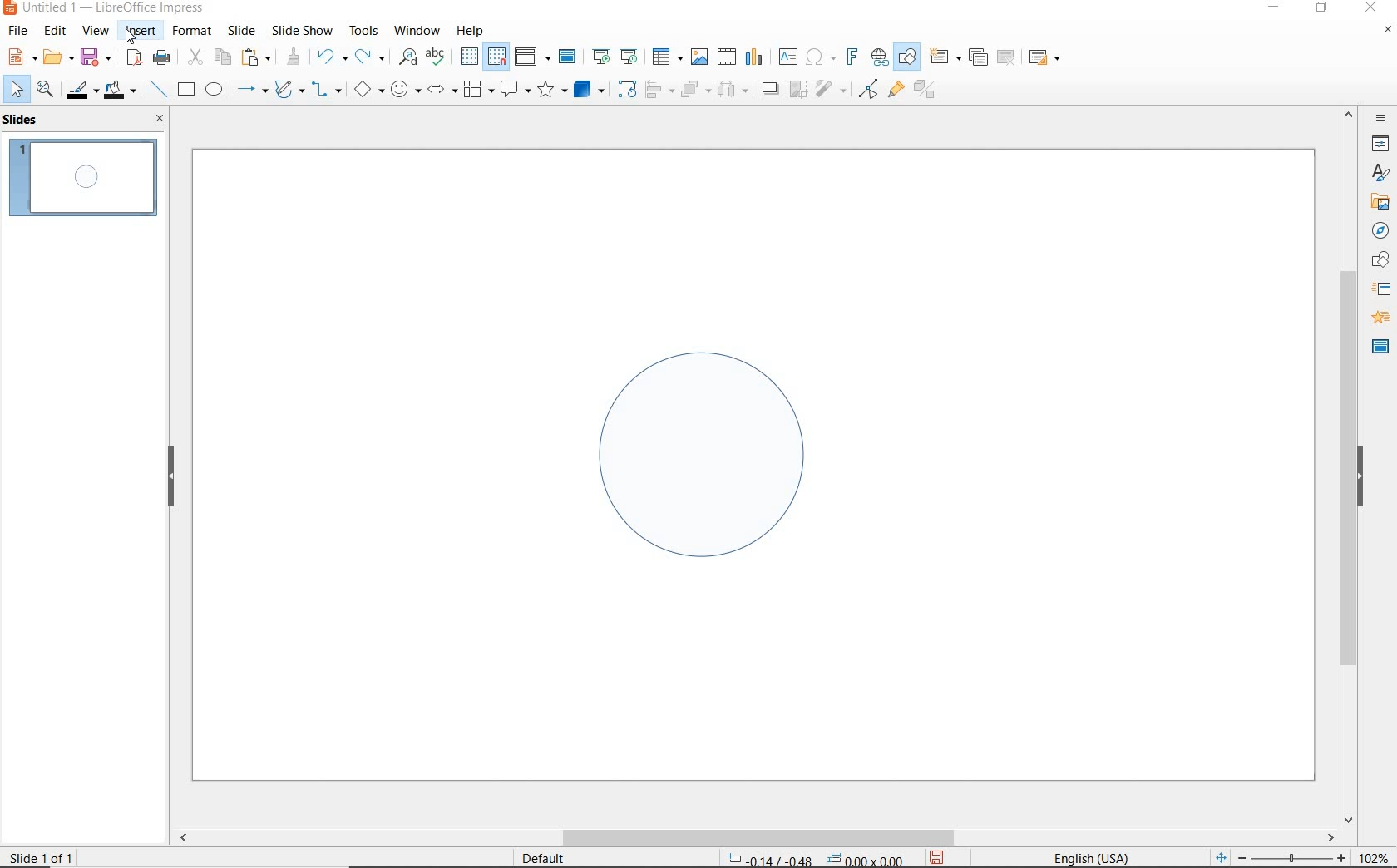 The height and width of the screenshot is (868, 1397). What do you see at coordinates (122, 91) in the screenshot?
I see `fill color` at bounding box center [122, 91].